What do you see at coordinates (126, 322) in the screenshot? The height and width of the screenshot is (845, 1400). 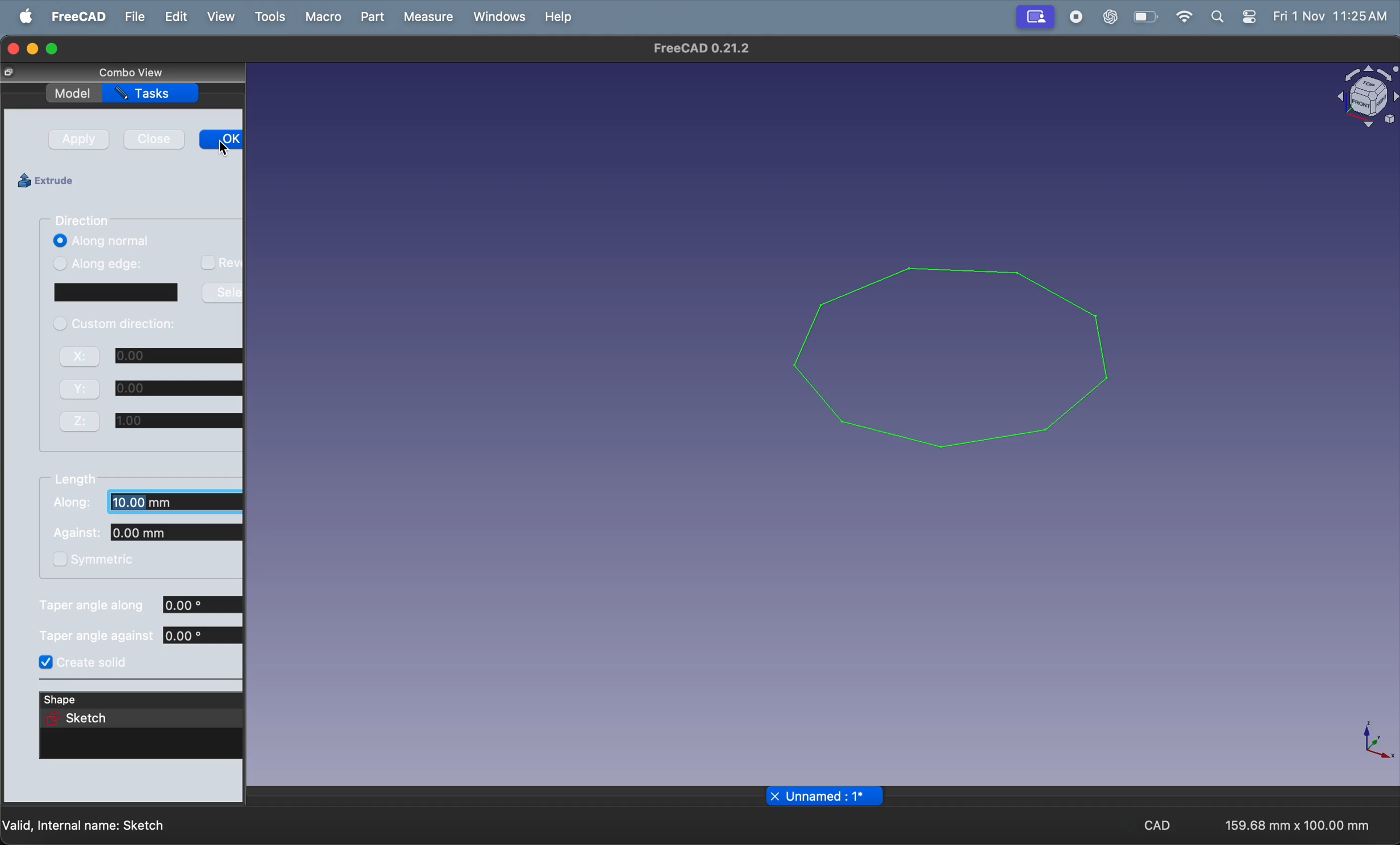 I see `custom direction` at bounding box center [126, 322].